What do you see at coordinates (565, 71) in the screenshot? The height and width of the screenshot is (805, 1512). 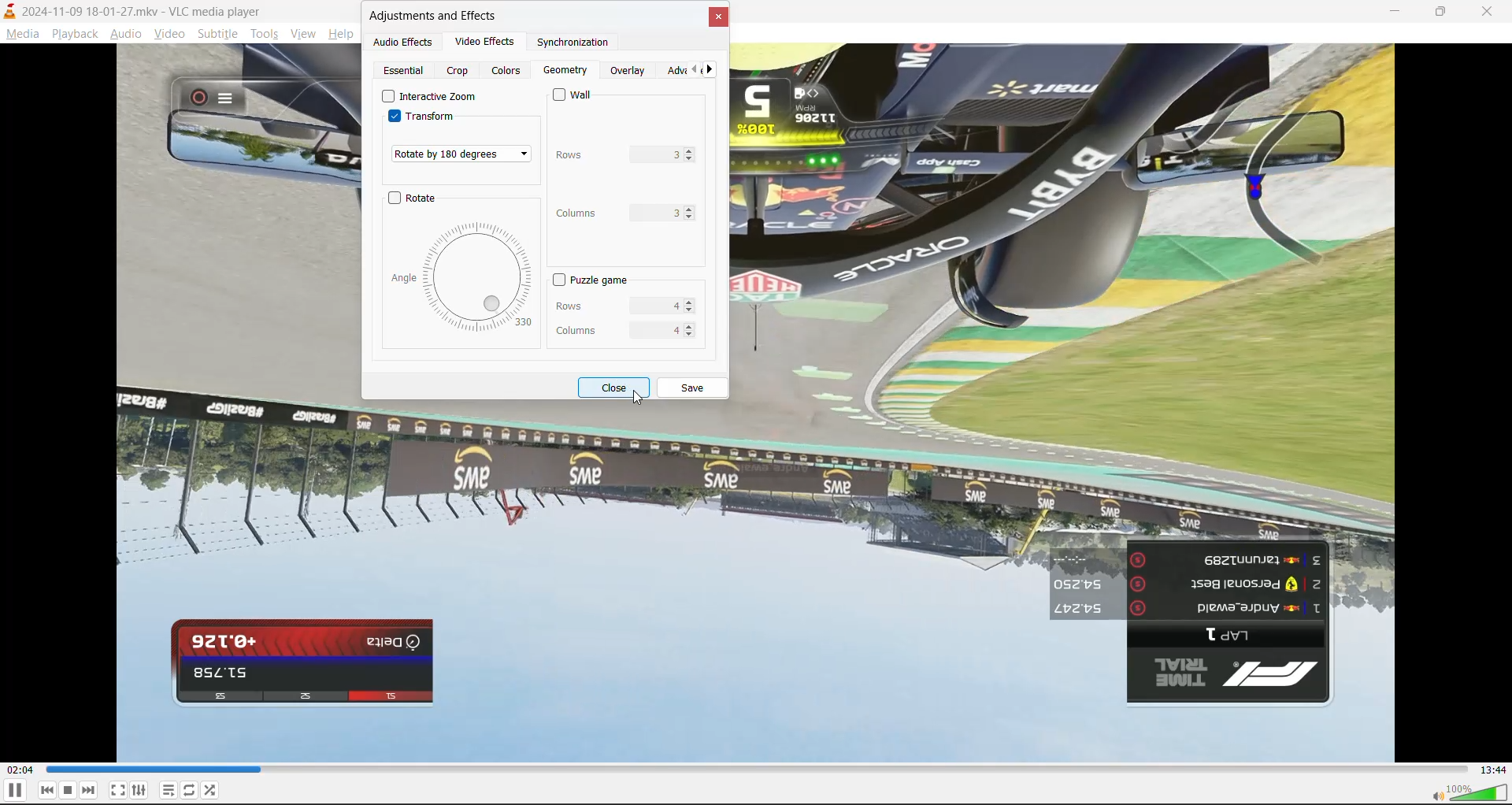 I see `Geometry` at bounding box center [565, 71].